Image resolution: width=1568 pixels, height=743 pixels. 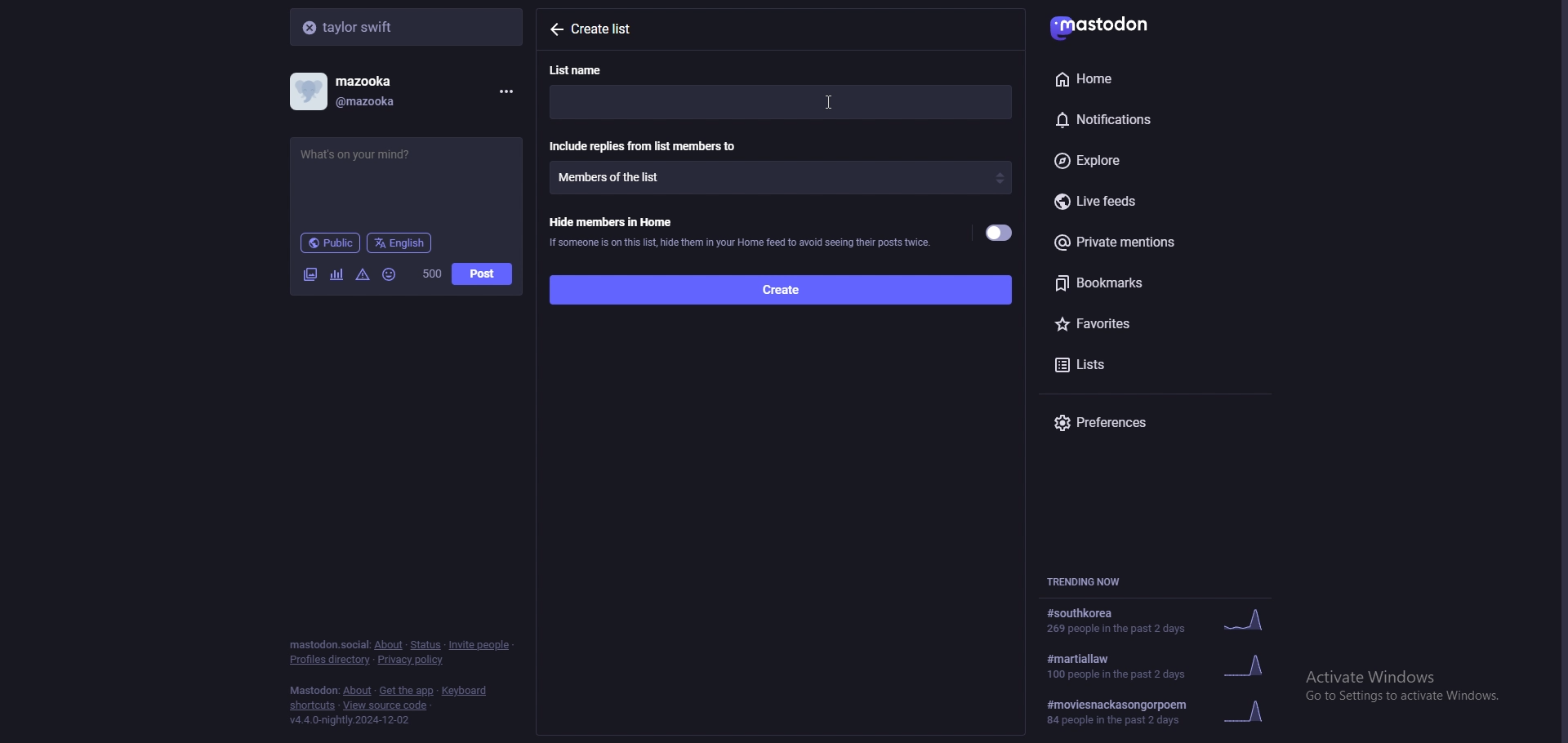 What do you see at coordinates (1158, 283) in the screenshot?
I see `bookmarks` at bounding box center [1158, 283].